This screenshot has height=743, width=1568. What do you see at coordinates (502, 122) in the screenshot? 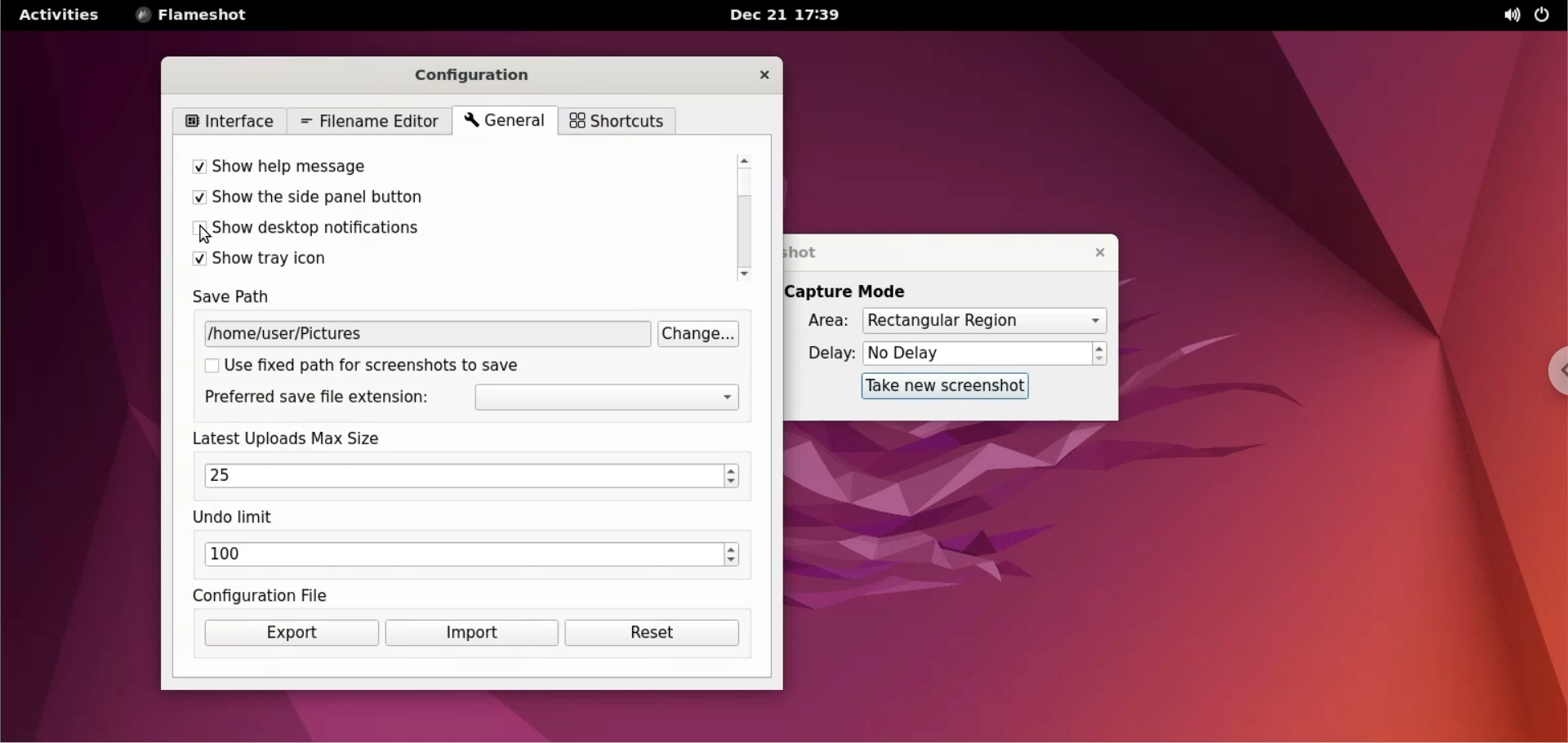
I see `general` at bounding box center [502, 122].